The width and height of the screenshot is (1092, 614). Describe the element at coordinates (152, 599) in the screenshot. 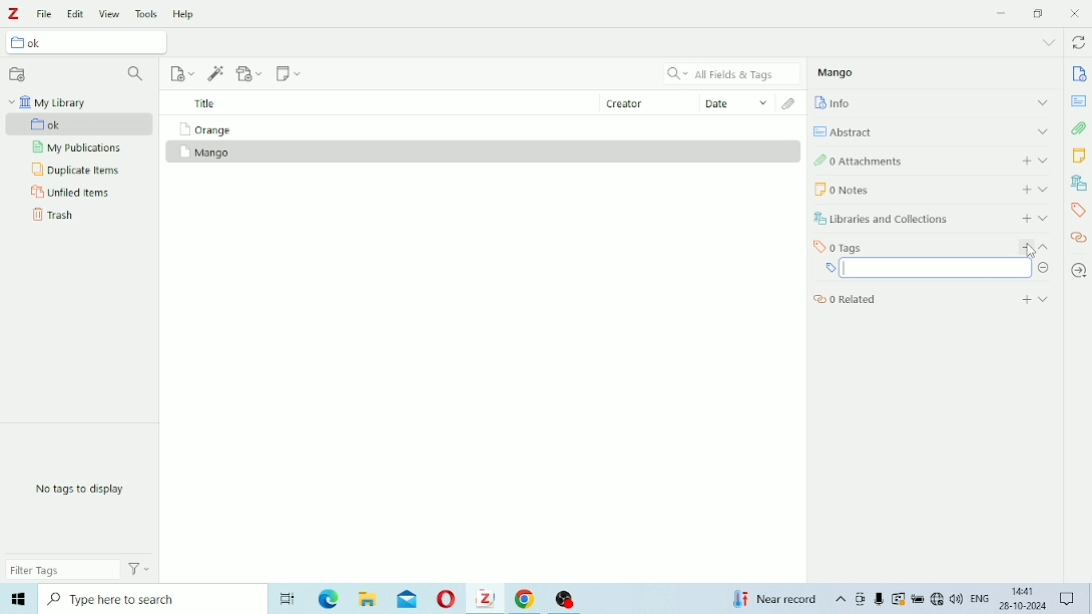

I see `Type here to search` at that location.